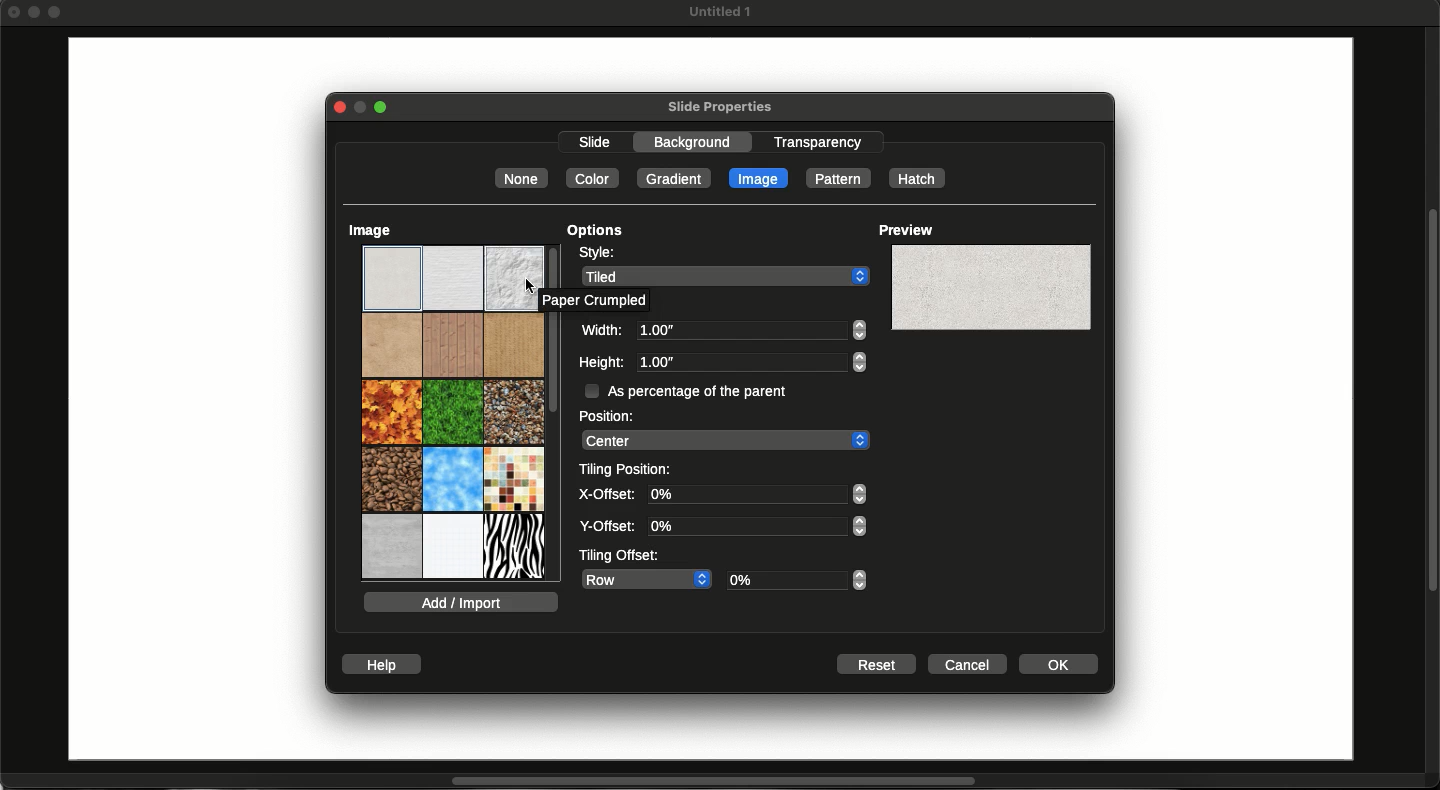 The height and width of the screenshot is (790, 1440). I want to click on Background, so click(700, 142).